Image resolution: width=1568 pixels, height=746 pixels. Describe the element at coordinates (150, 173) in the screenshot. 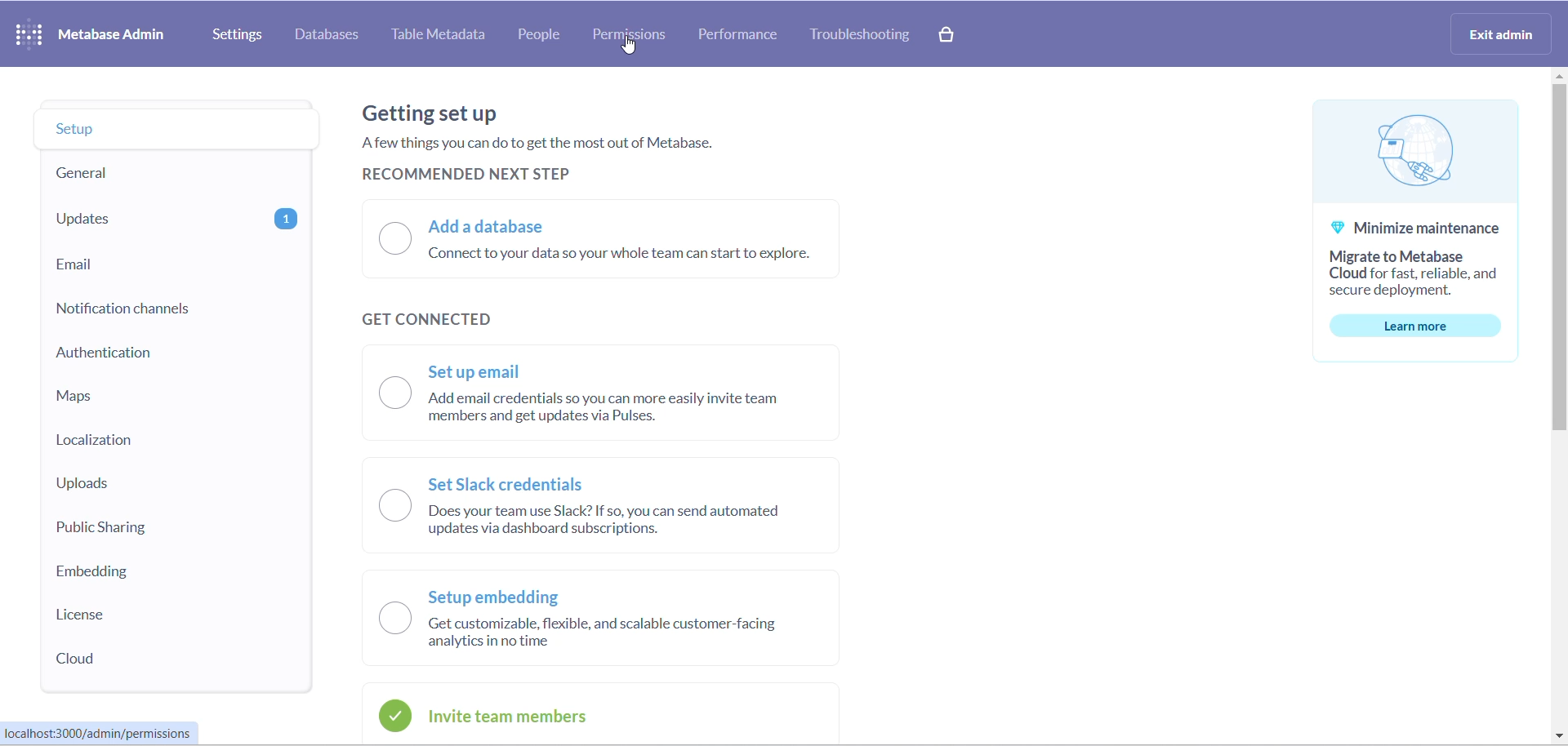

I see `general` at that location.